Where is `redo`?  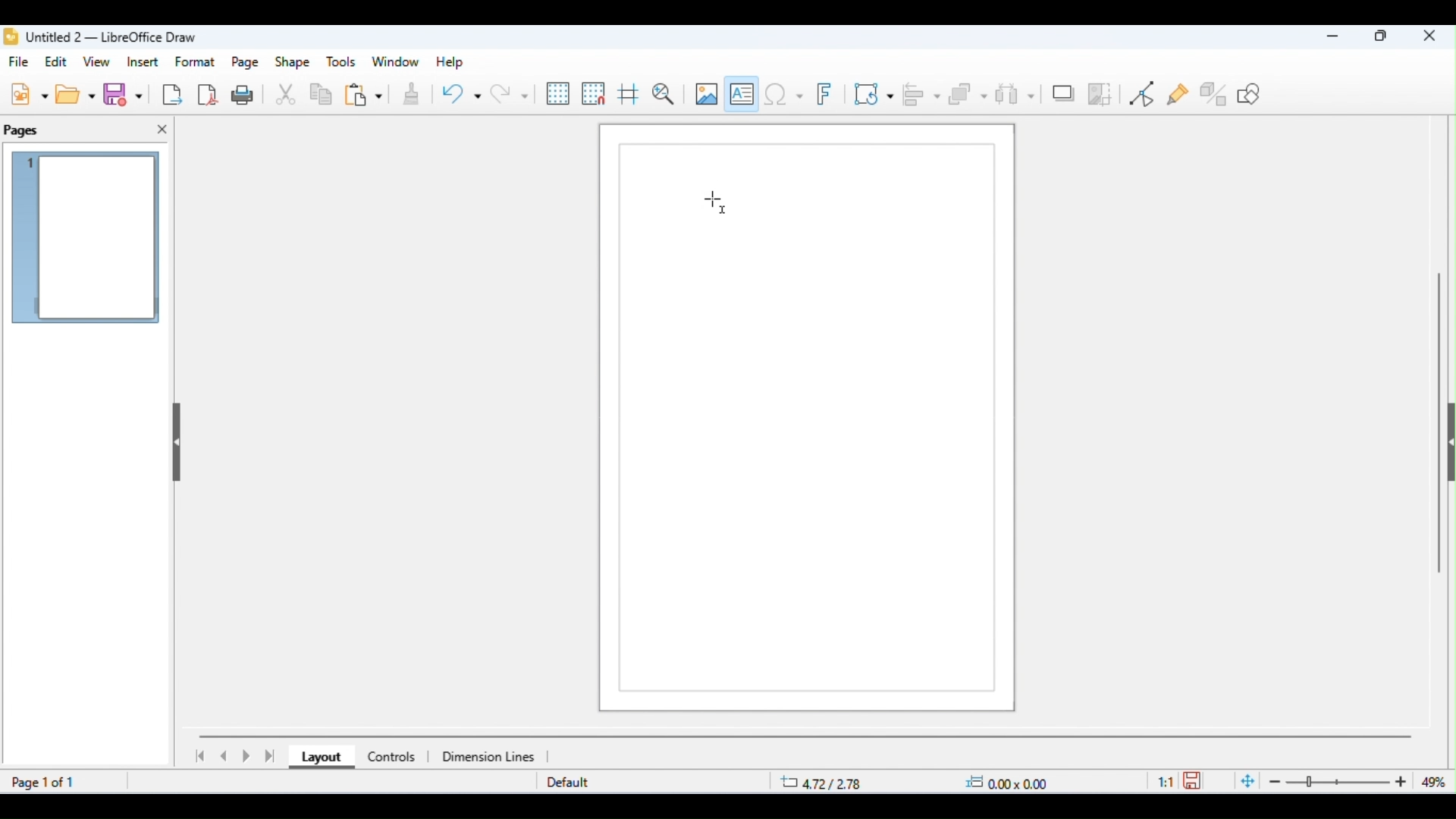
redo is located at coordinates (509, 93).